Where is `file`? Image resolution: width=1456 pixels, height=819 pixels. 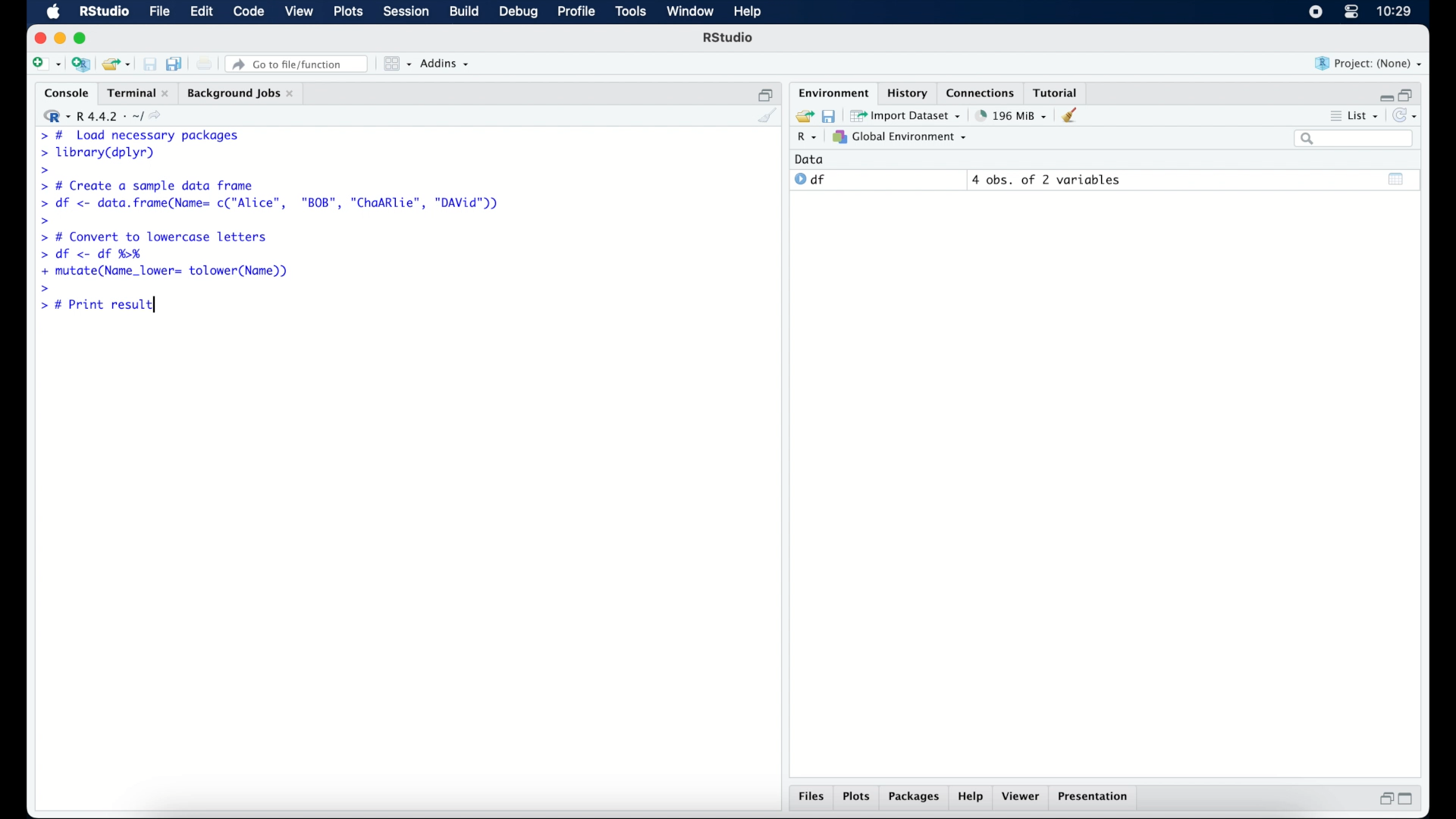 file is located at coordinates (158, 12).